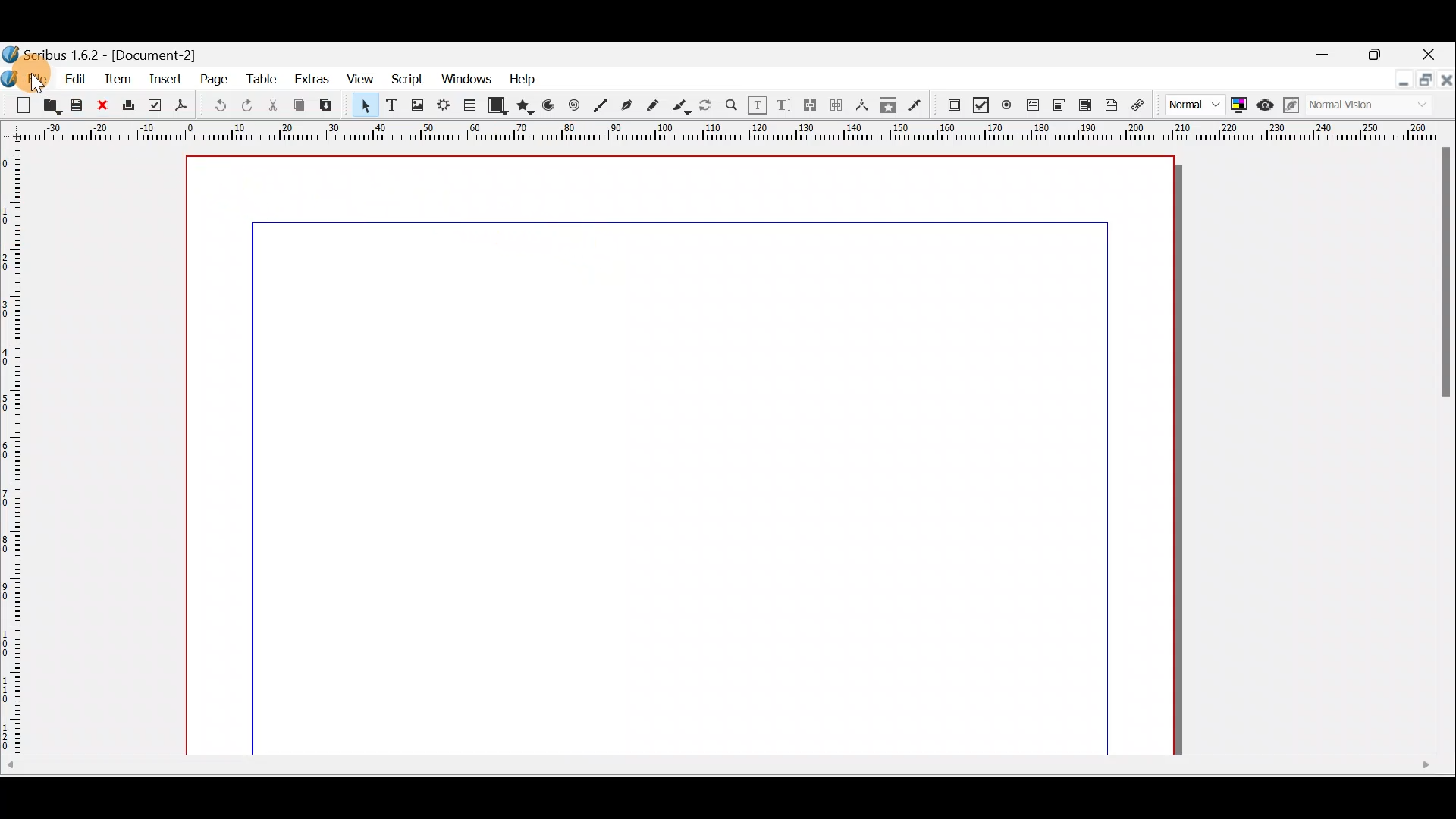  I want to click on Table, so click(468, 107).